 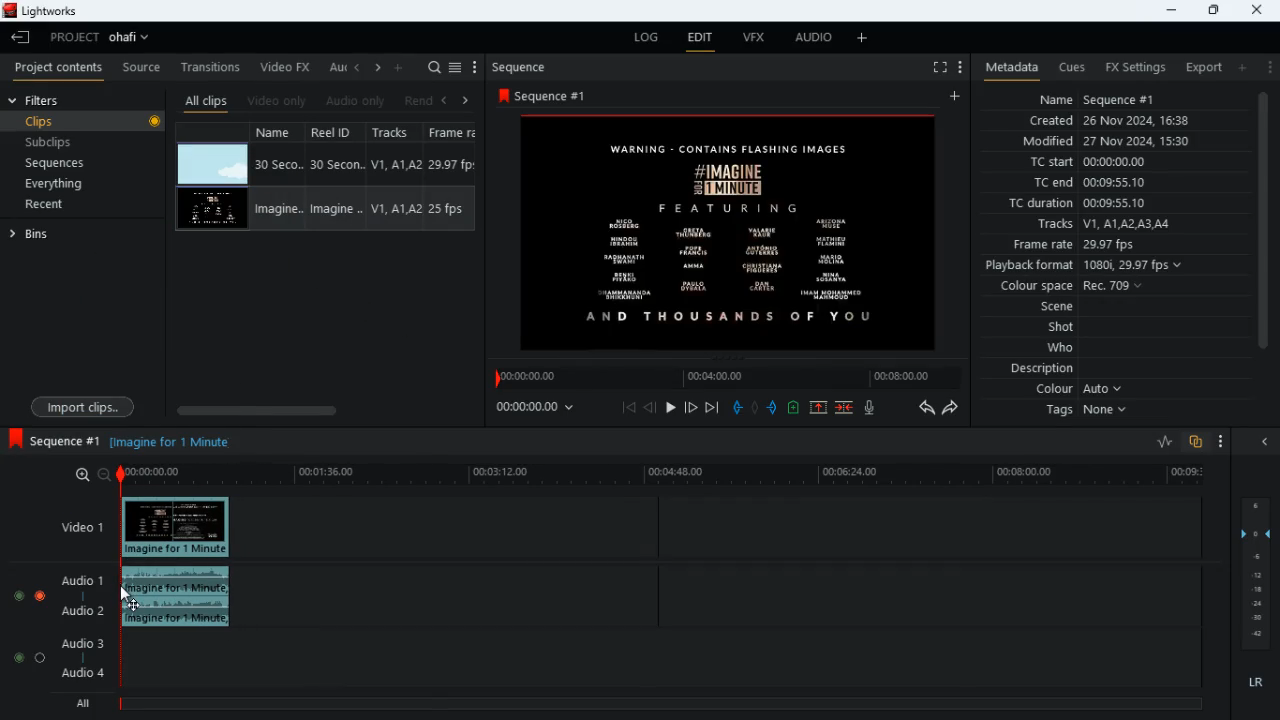 What do you see at coordinates (17, 593) in the screenshot?
I see `toggle` at bounding box center [17, 593].